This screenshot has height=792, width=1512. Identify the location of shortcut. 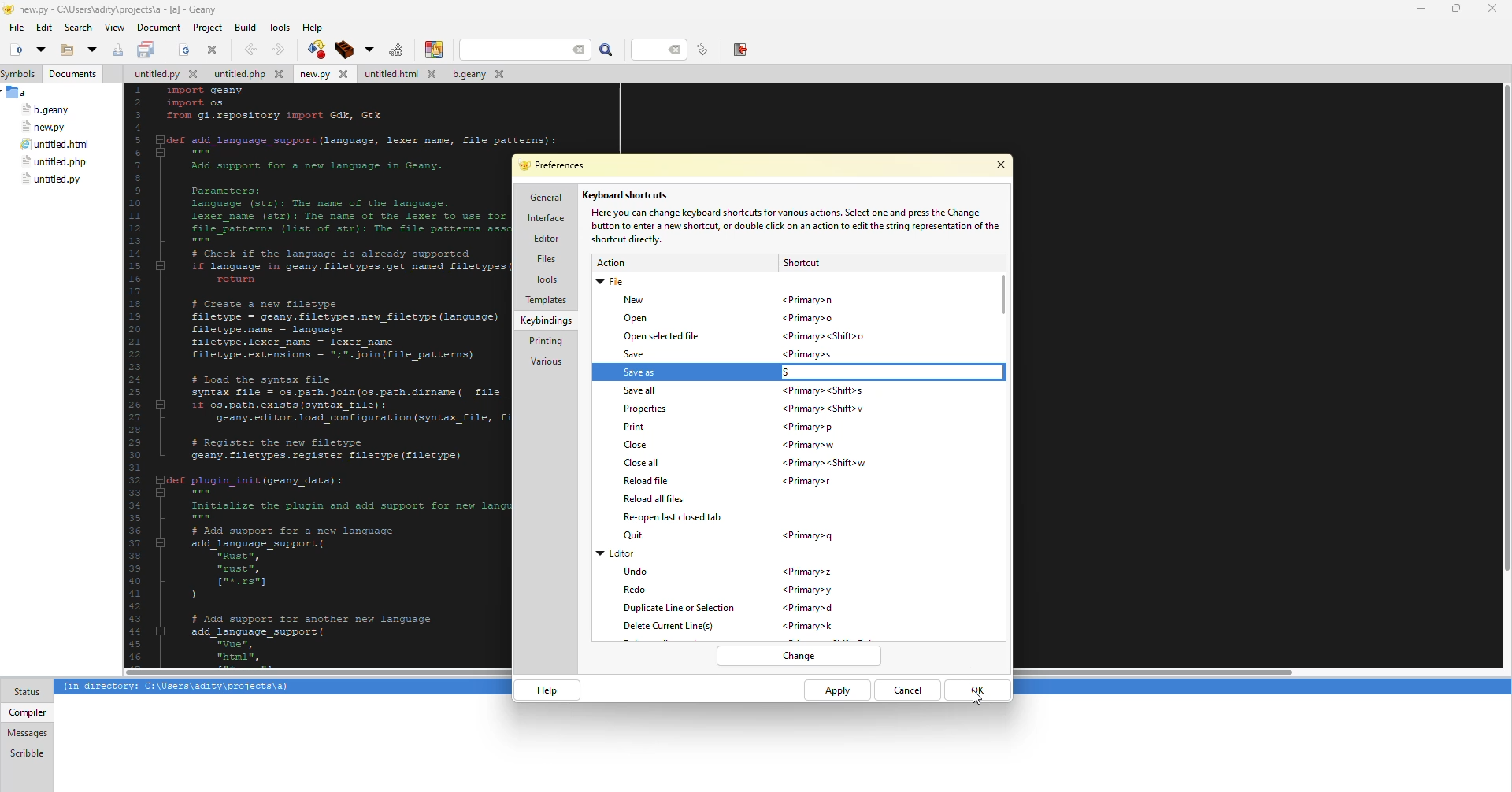
(810, 482).